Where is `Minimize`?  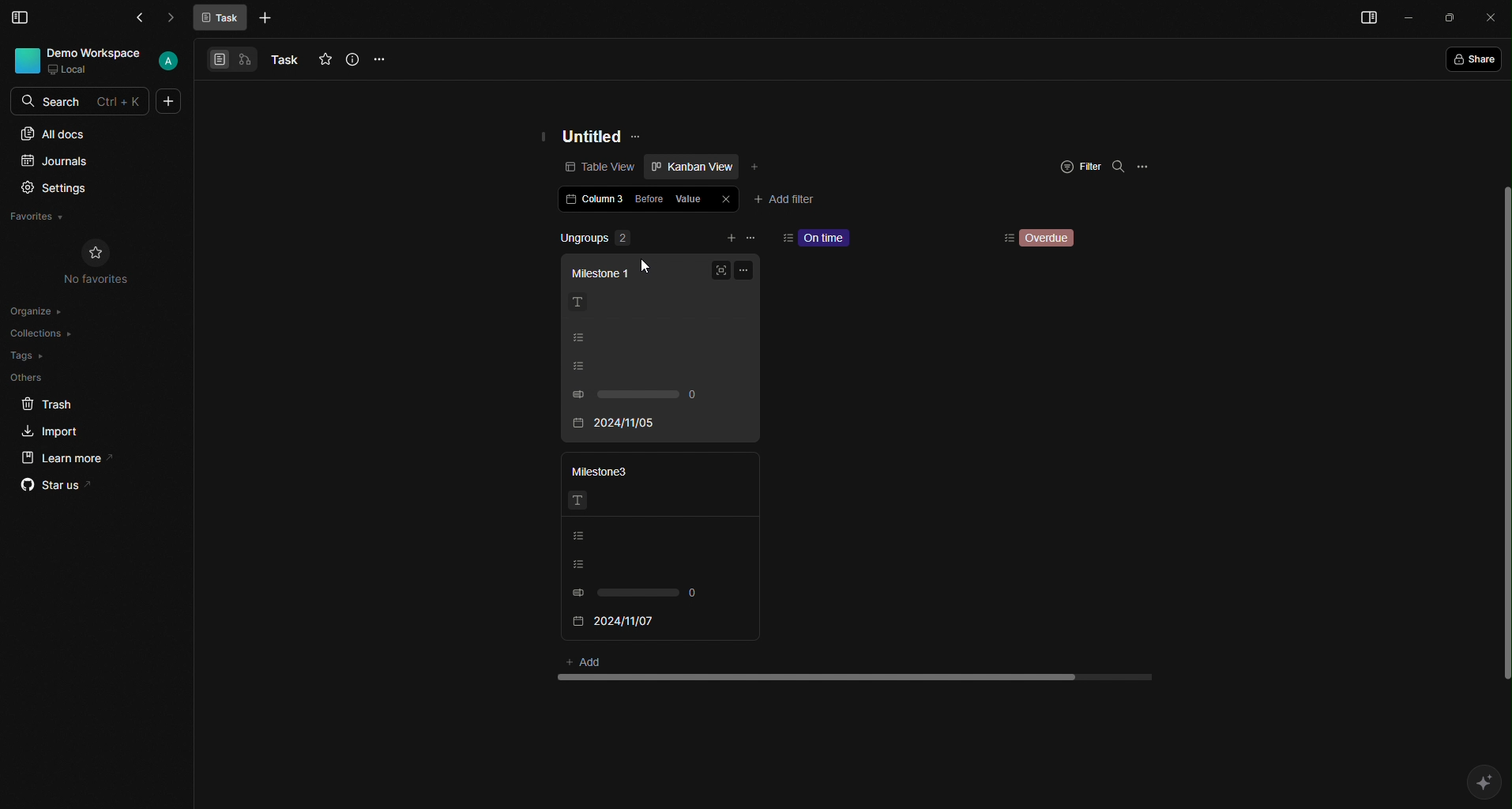
Minimize is located at coordinates (1411, 16).